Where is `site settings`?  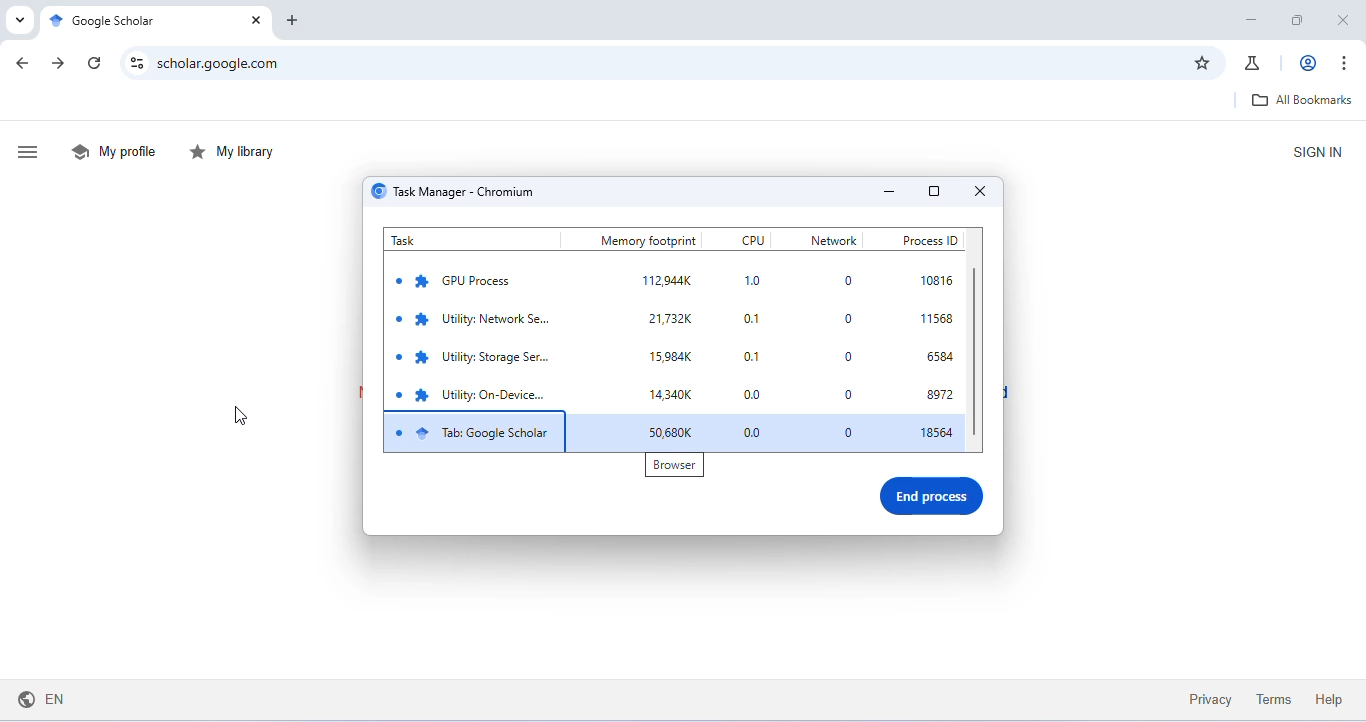
site settings is located at coordinates (138, 62).